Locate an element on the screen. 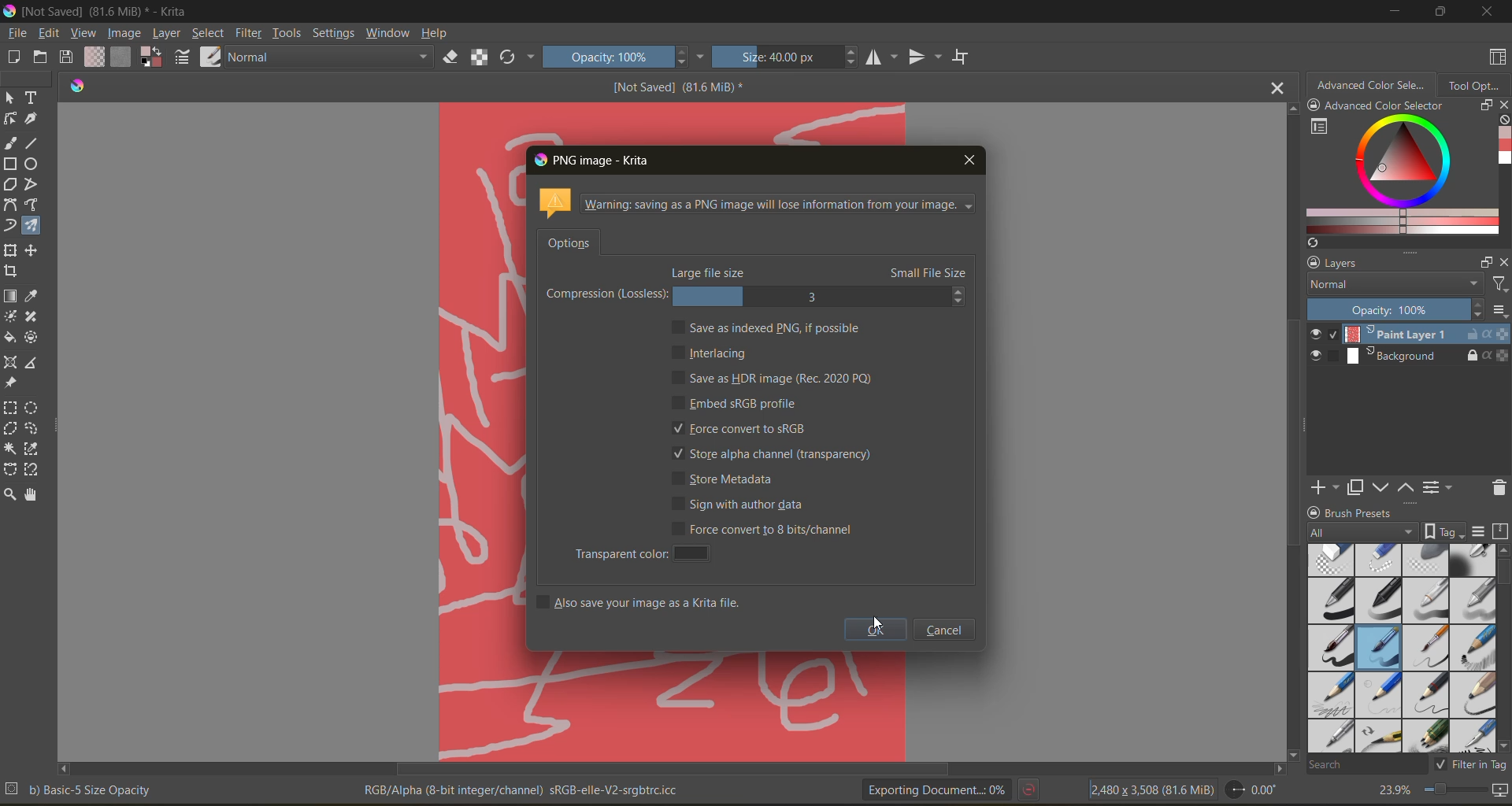 Image resolution: width=1512 pixels, height=806 pixels. interlacing is located at coordinates (713, 353).